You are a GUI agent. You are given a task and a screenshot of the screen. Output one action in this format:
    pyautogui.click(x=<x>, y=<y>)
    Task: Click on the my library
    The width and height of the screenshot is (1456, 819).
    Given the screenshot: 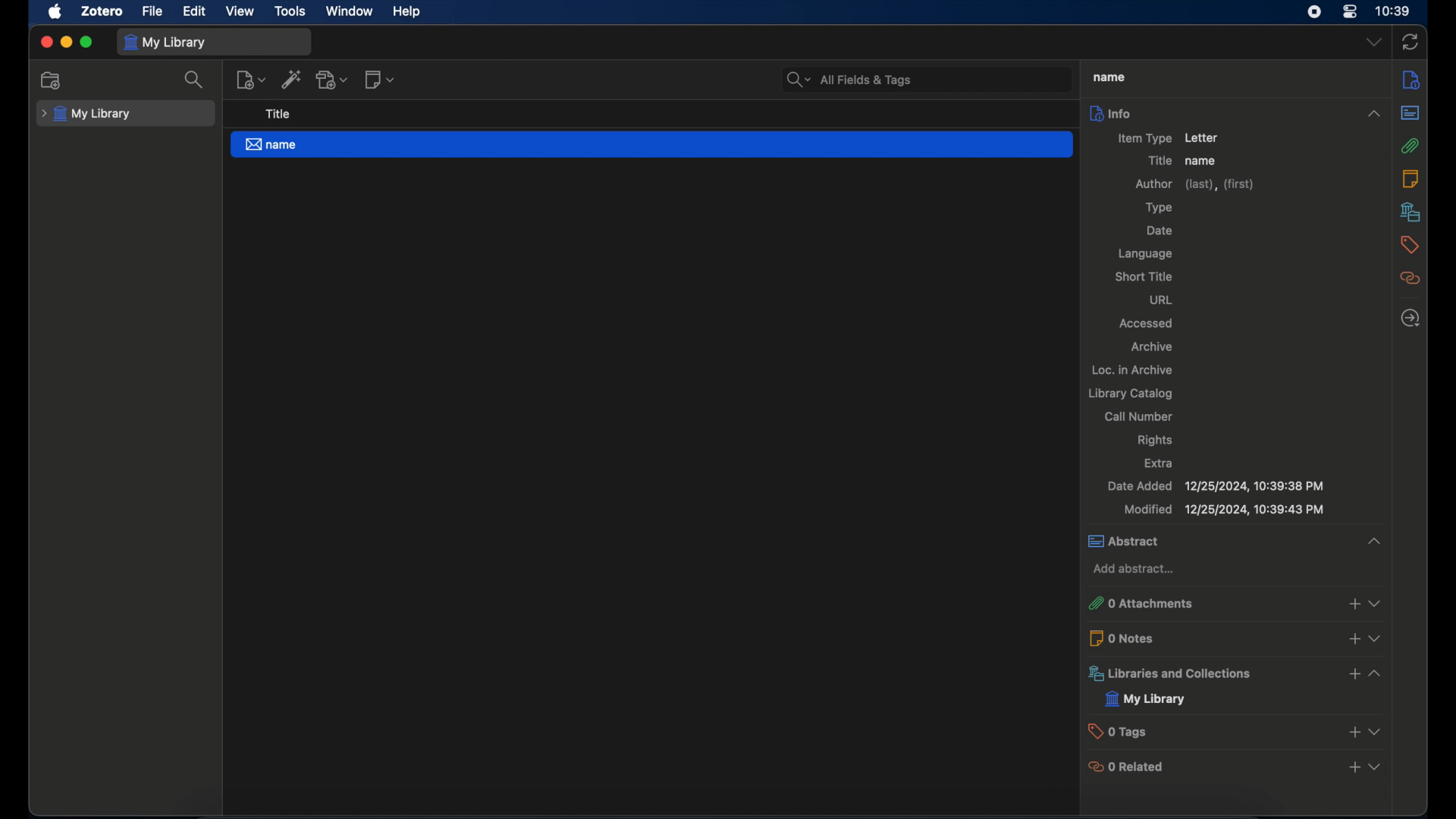 What is the action you would take?
    pyautogui.click(x=1147, y=701)
    